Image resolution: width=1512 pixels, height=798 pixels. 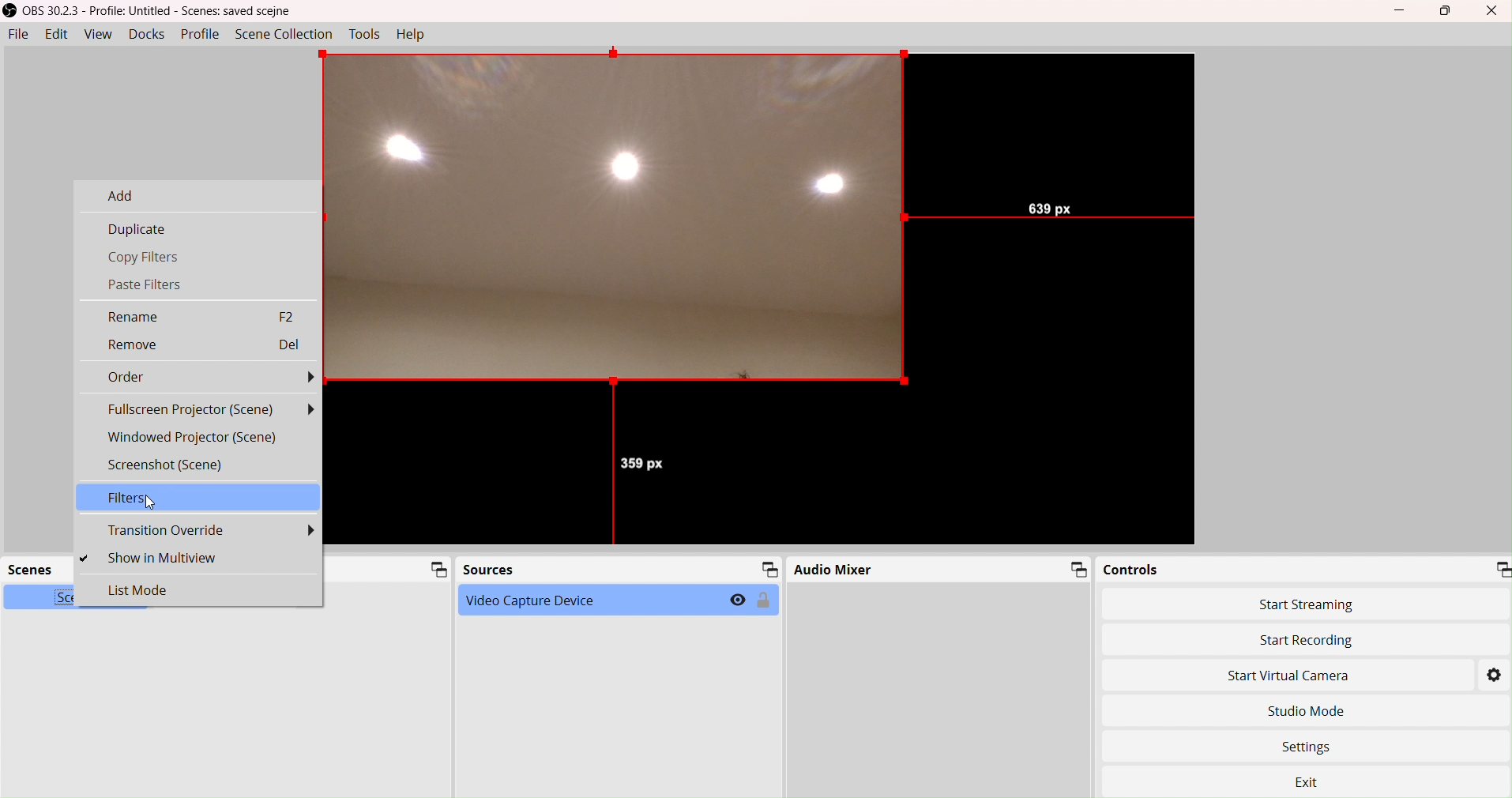 What do you see at coordinates (137, 591) in the screenshot?
I see `List Mode` at bounding box center [137, 591].